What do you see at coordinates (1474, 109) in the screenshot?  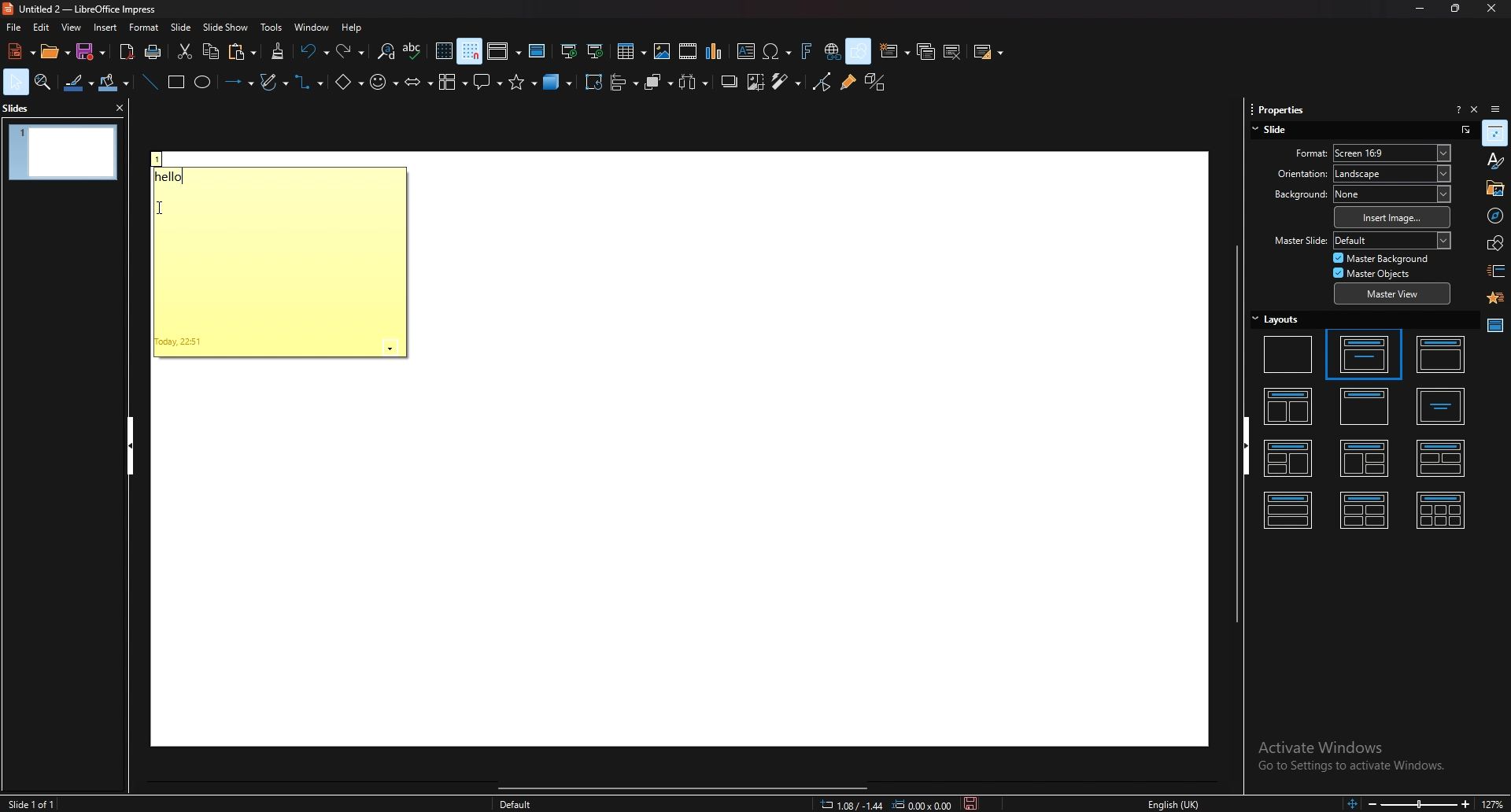 I see `close sidebar` at bounding box center [1474, 109].